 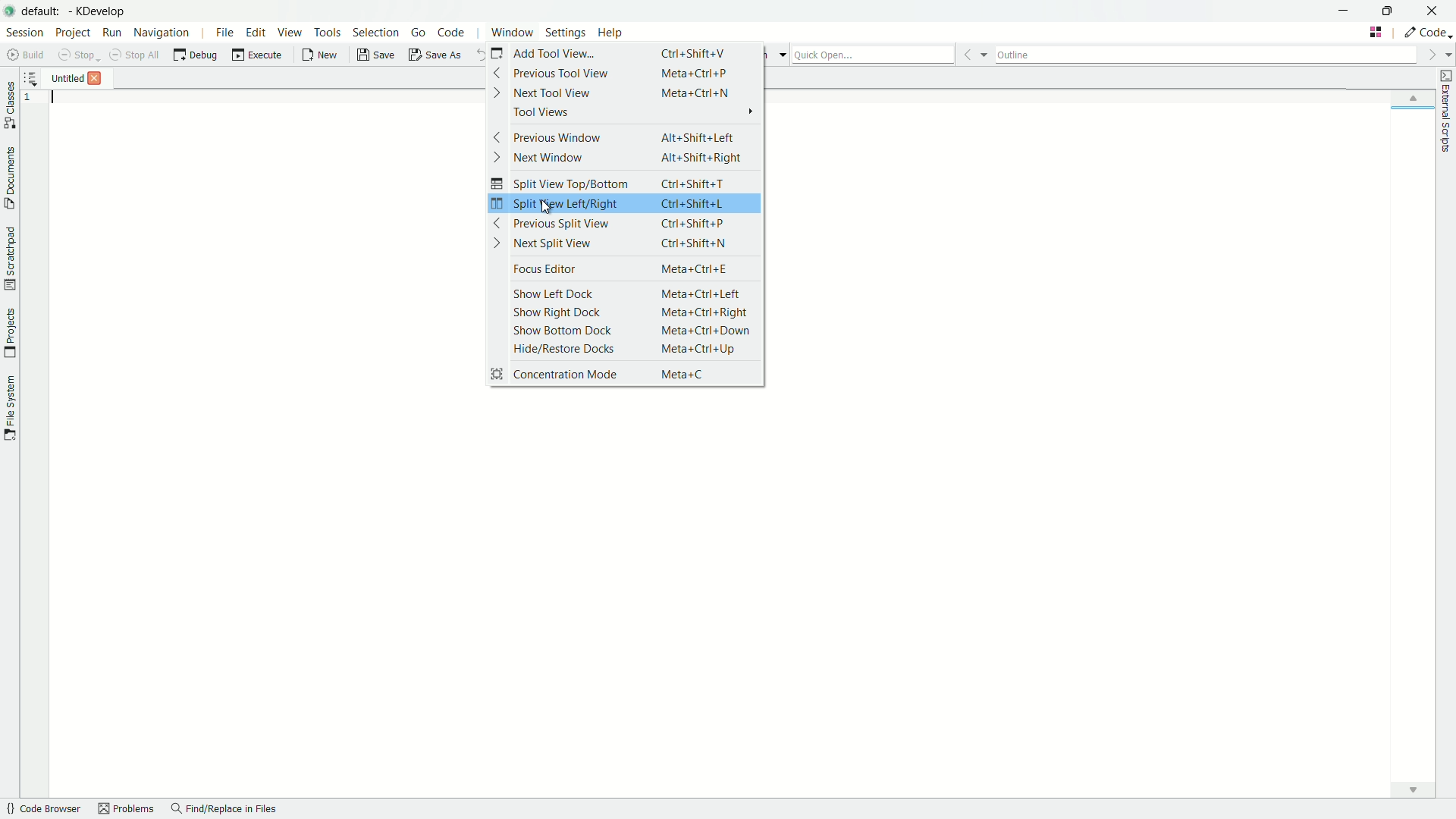 What do you see at coordinates (703, 309) in the screenshot?
I see `meta+Ctrl+Right` at bounding box center [703, 309].